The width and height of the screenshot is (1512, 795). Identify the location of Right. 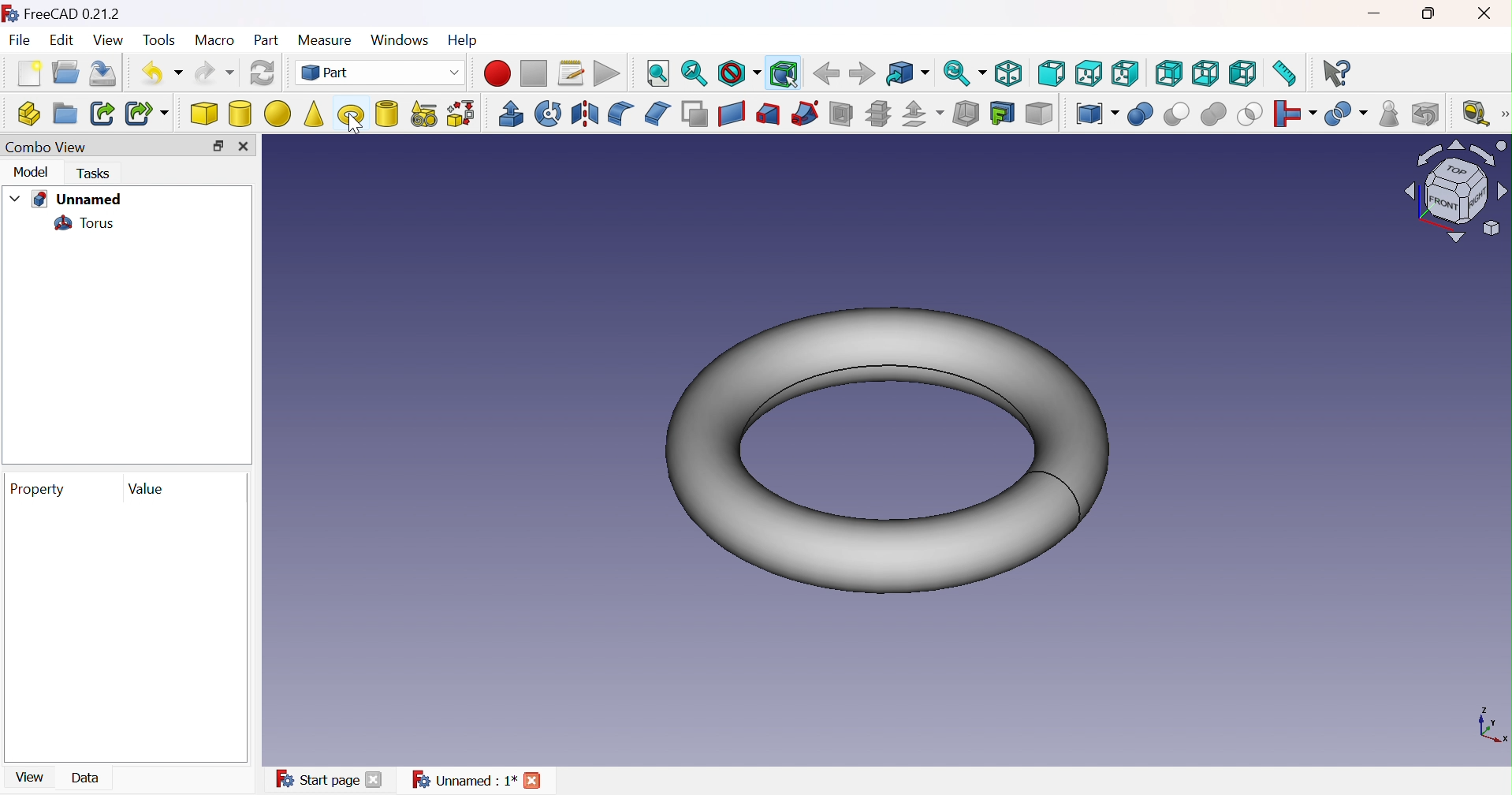
(1125, 74).